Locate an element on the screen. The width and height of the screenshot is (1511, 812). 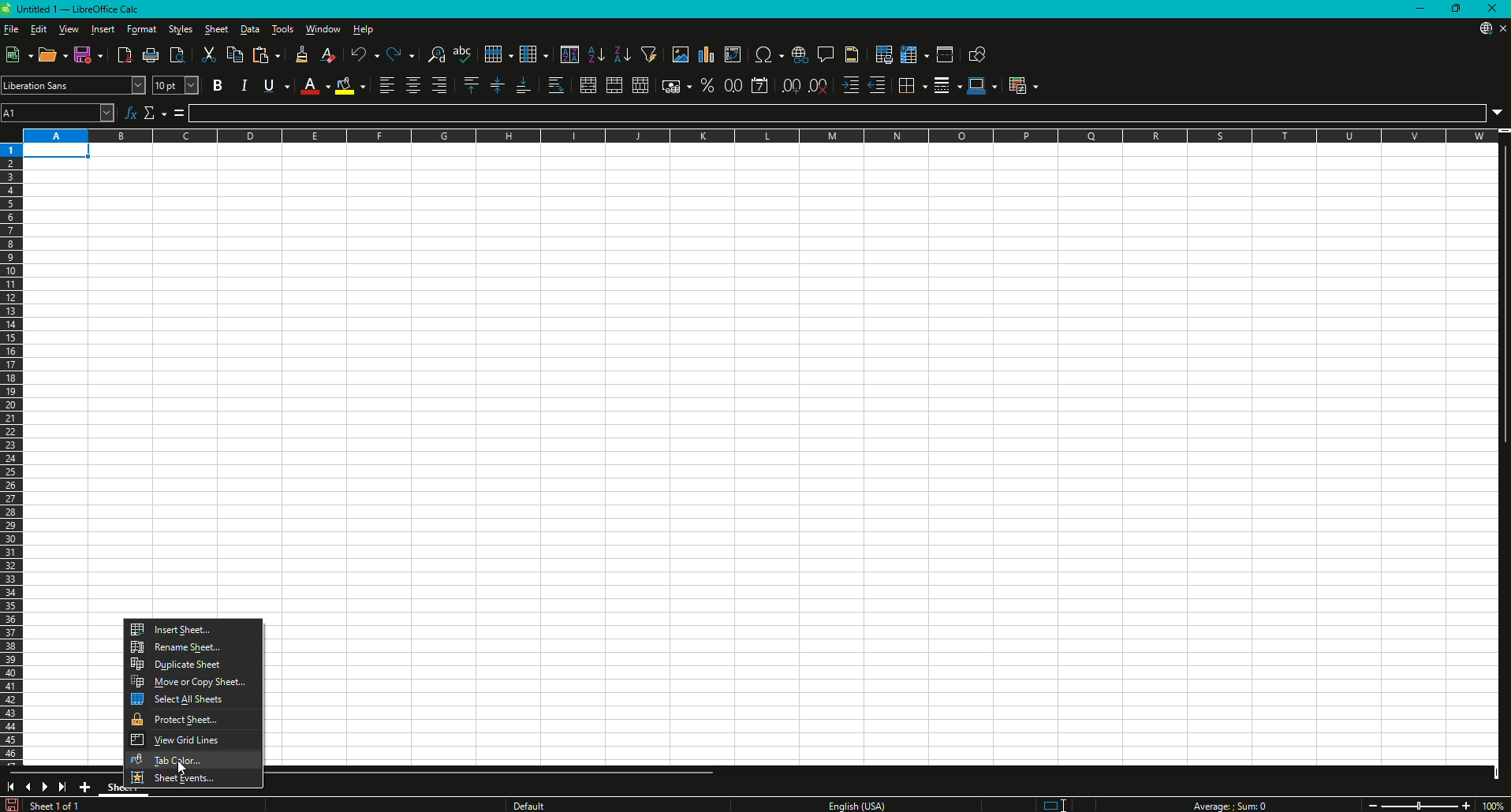
Window is located at coordinates (324, 28).